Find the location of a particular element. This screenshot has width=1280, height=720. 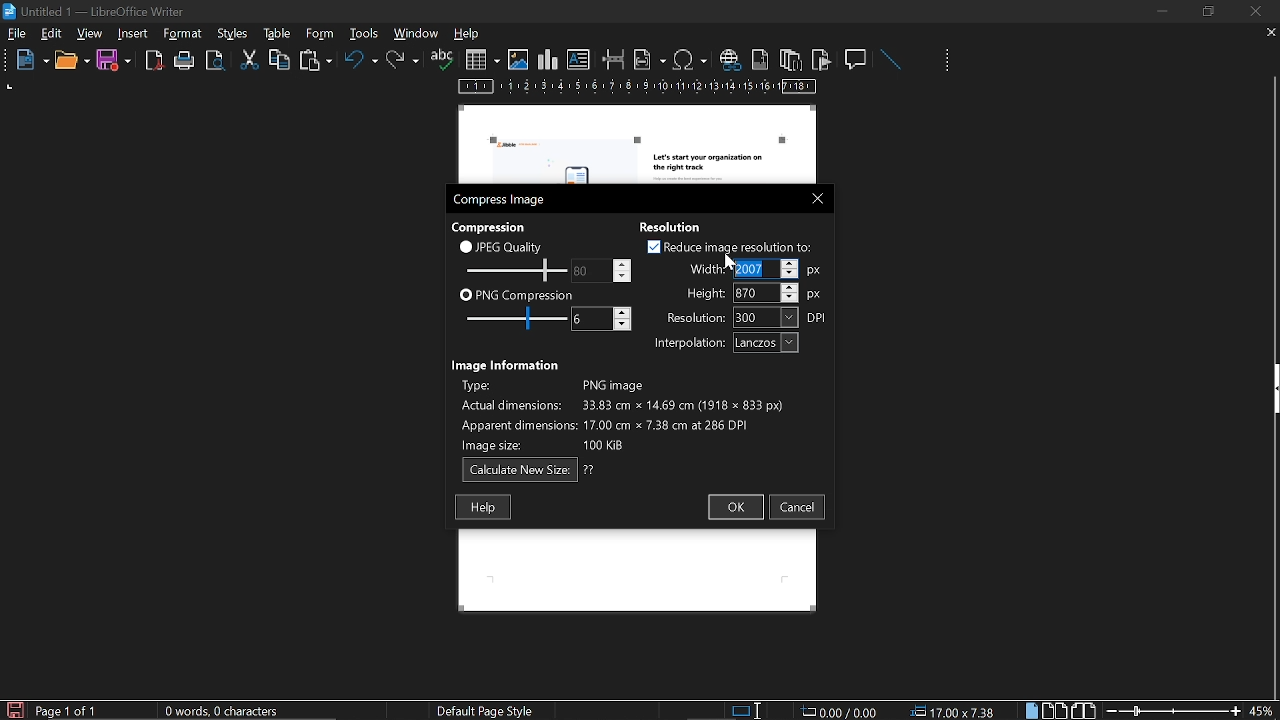

position is located at coordinates (956, 711).